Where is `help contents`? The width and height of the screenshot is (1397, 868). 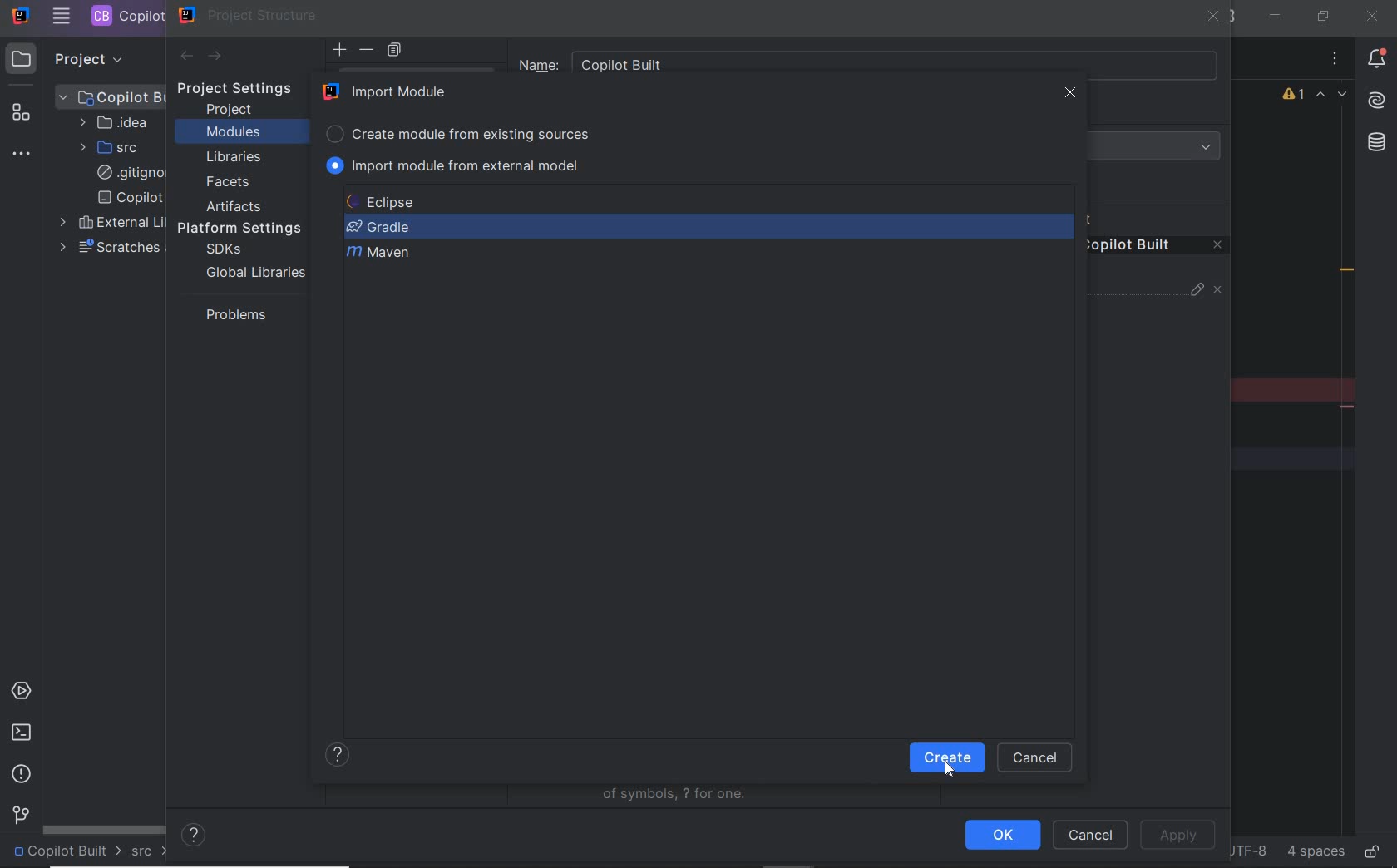 help contents is located at coordinates (195, 836).